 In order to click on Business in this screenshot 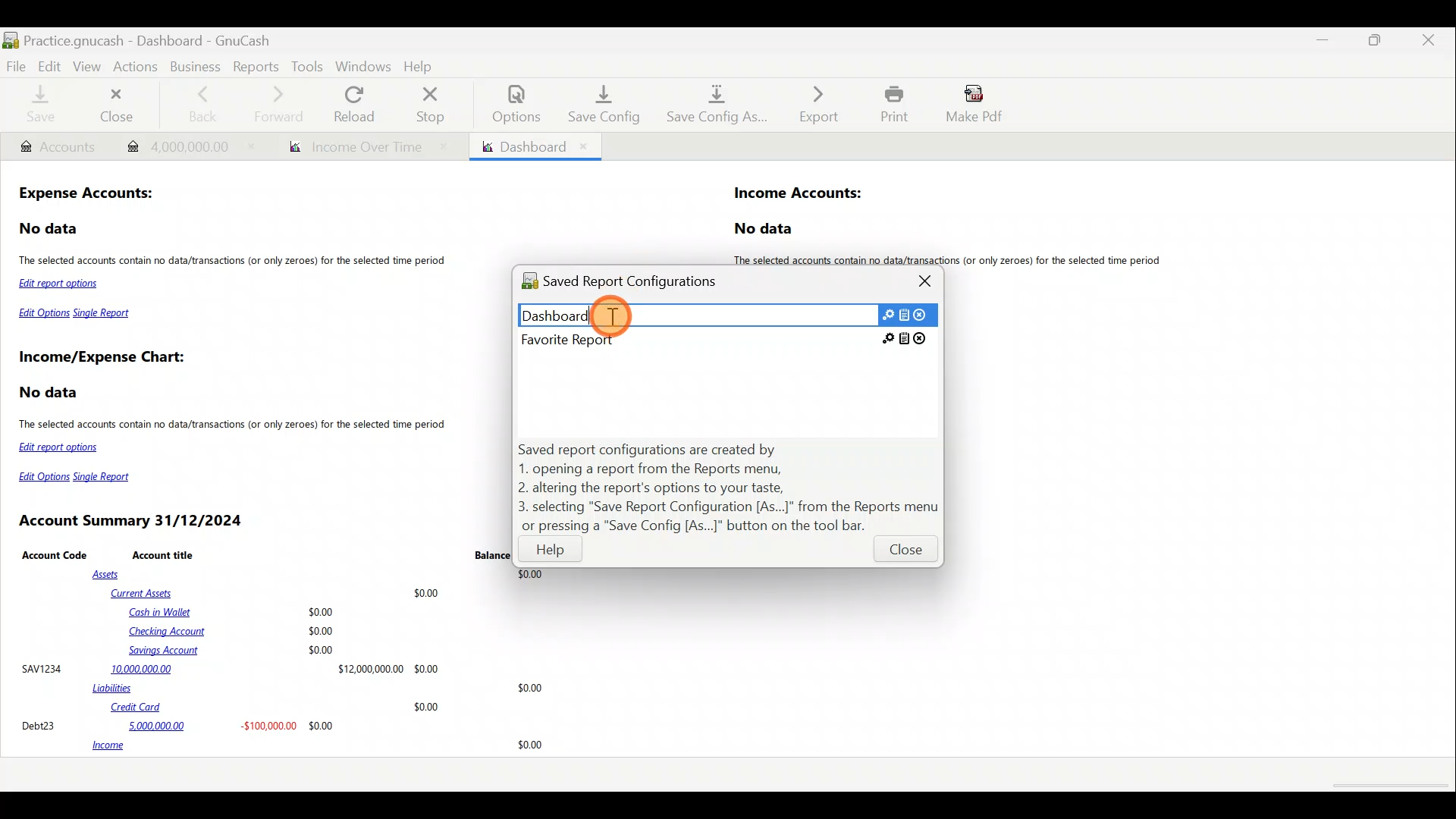, I will do `click(195, 65)`.